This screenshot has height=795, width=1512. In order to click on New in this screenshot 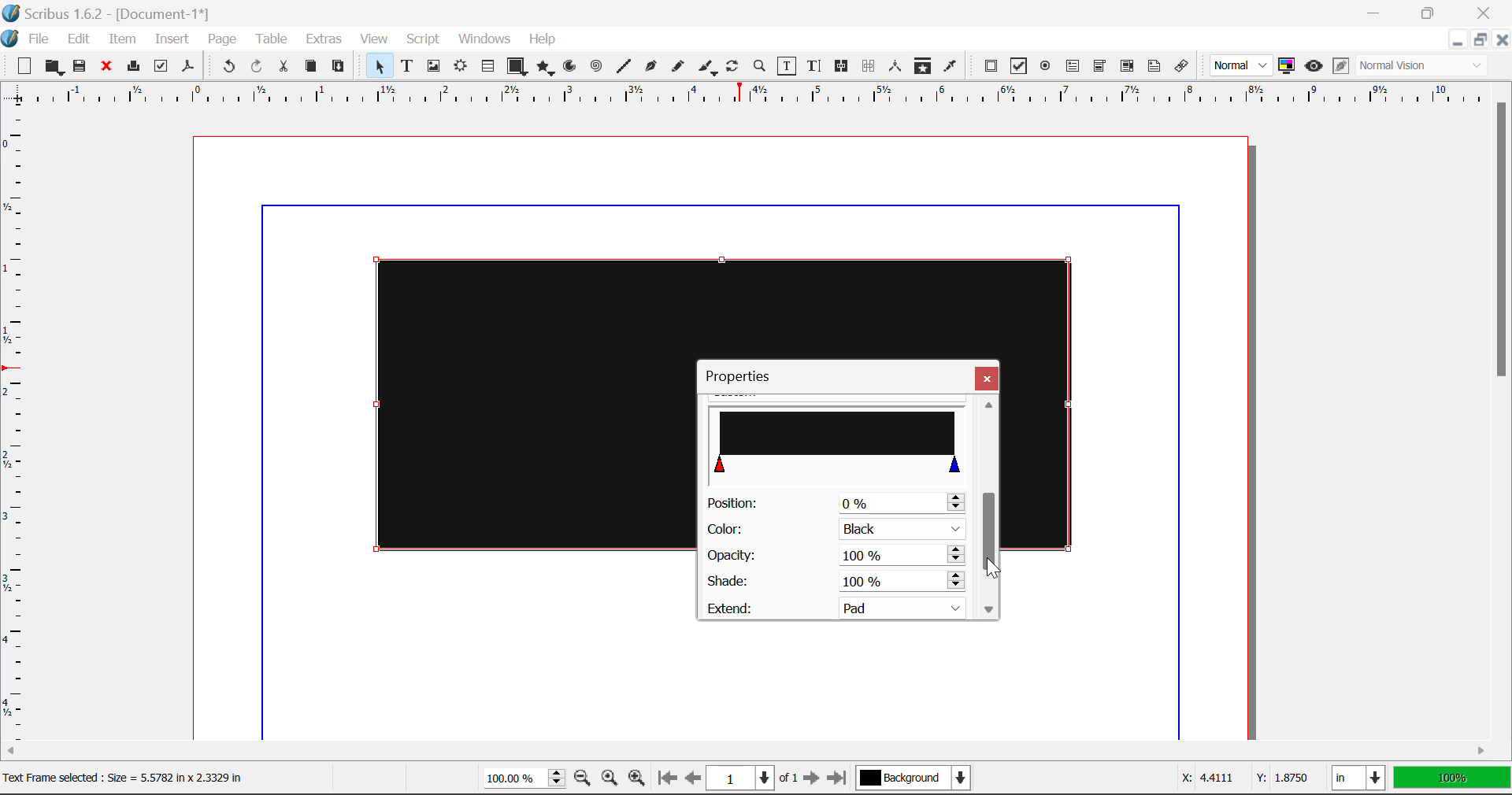, I will do `click(22, 67)`.